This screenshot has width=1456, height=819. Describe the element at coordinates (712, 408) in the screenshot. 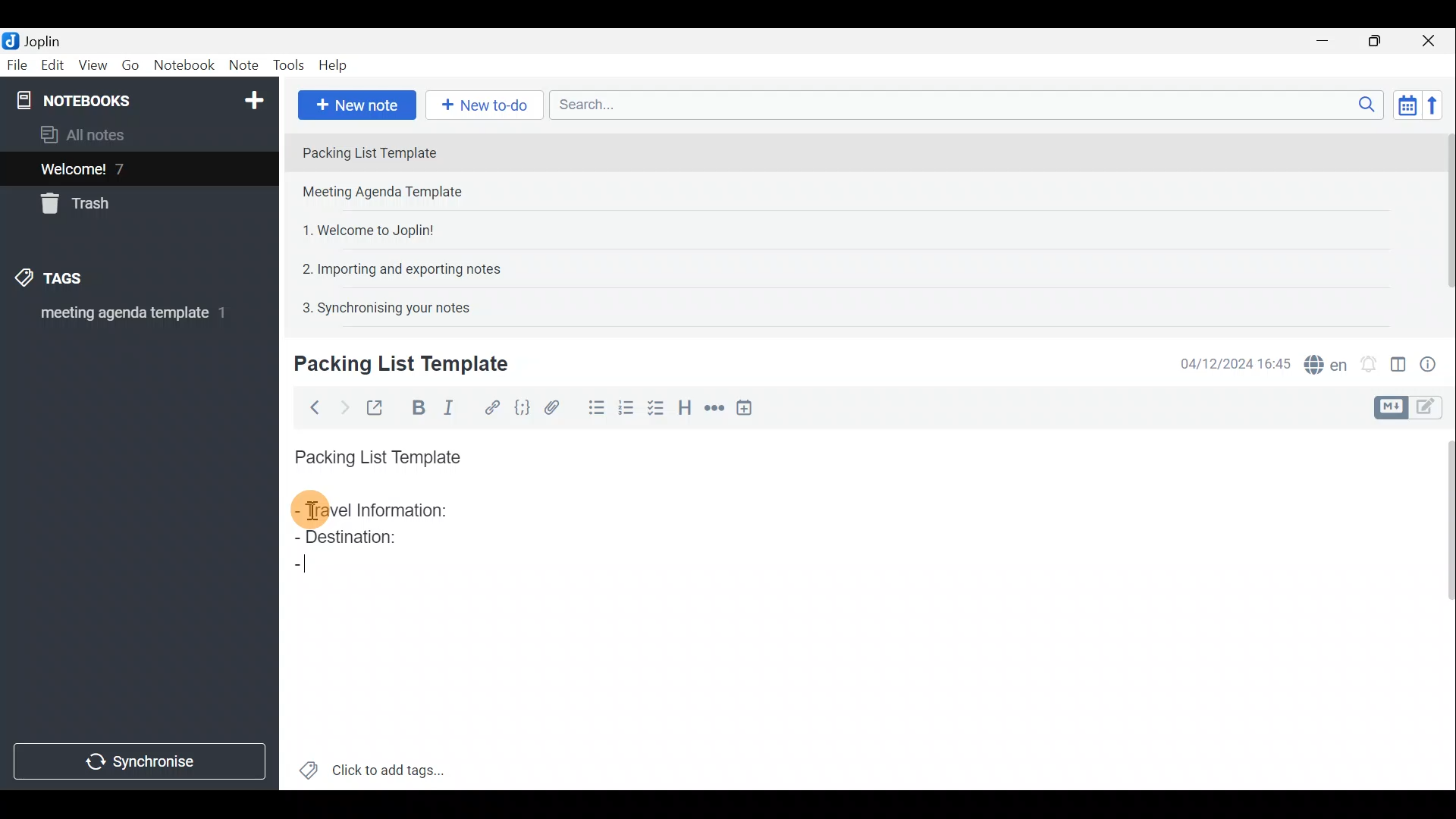

I see `Horizontal rule` at that location.